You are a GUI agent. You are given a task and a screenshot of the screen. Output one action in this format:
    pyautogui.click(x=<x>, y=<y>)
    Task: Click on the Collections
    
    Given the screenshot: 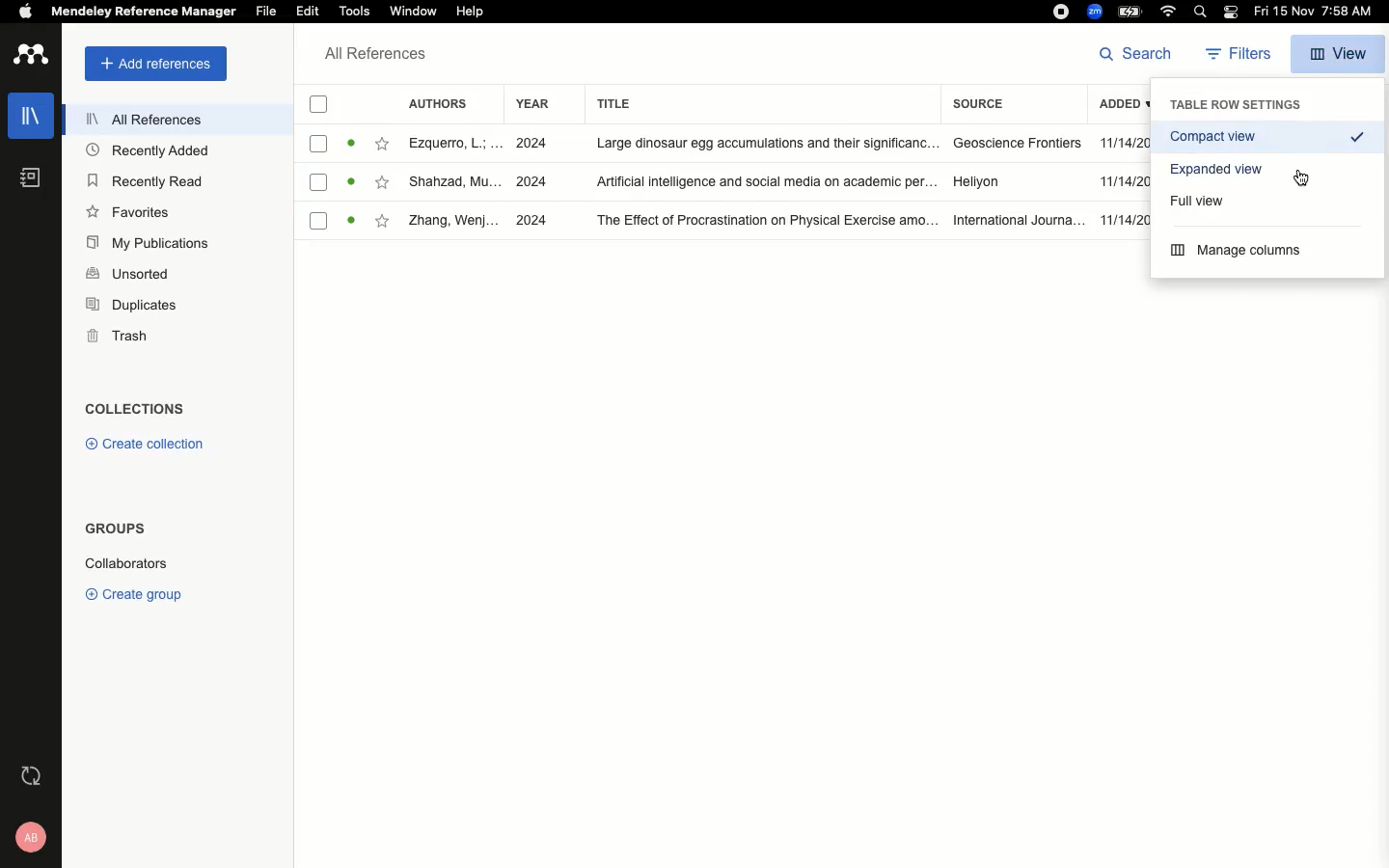 What is the action you would take?
    pyautogui.click(x=134, y=408)
    